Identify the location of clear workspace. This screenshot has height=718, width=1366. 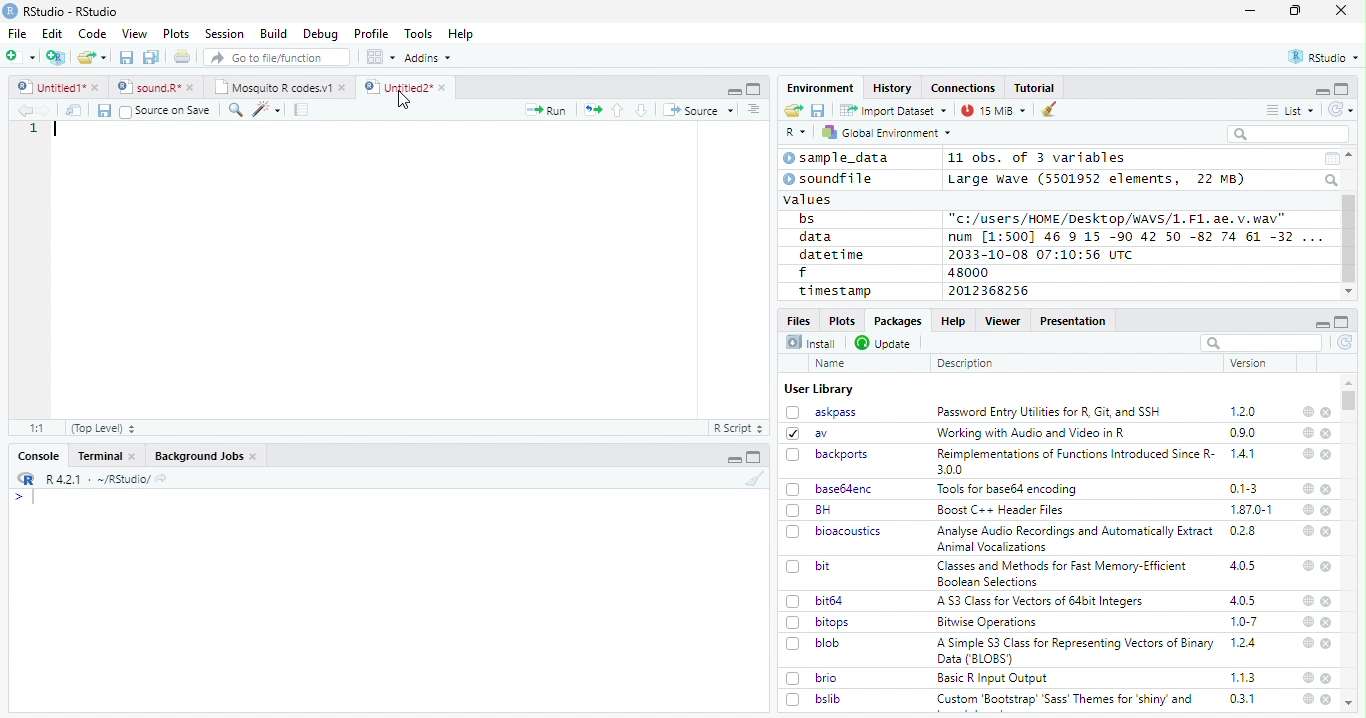
(1050, 110).